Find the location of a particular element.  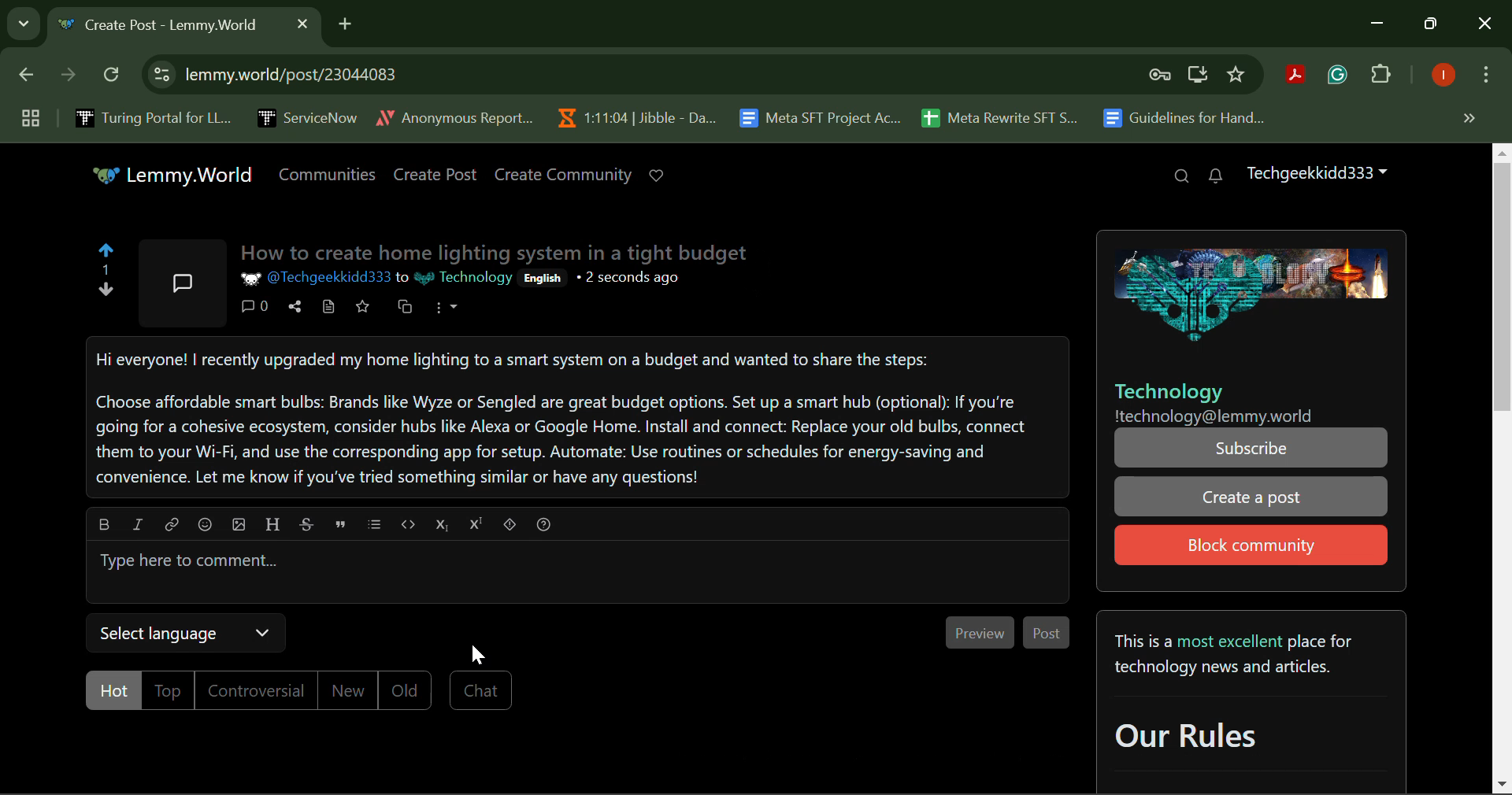

link is located at coordinates (172, 525).